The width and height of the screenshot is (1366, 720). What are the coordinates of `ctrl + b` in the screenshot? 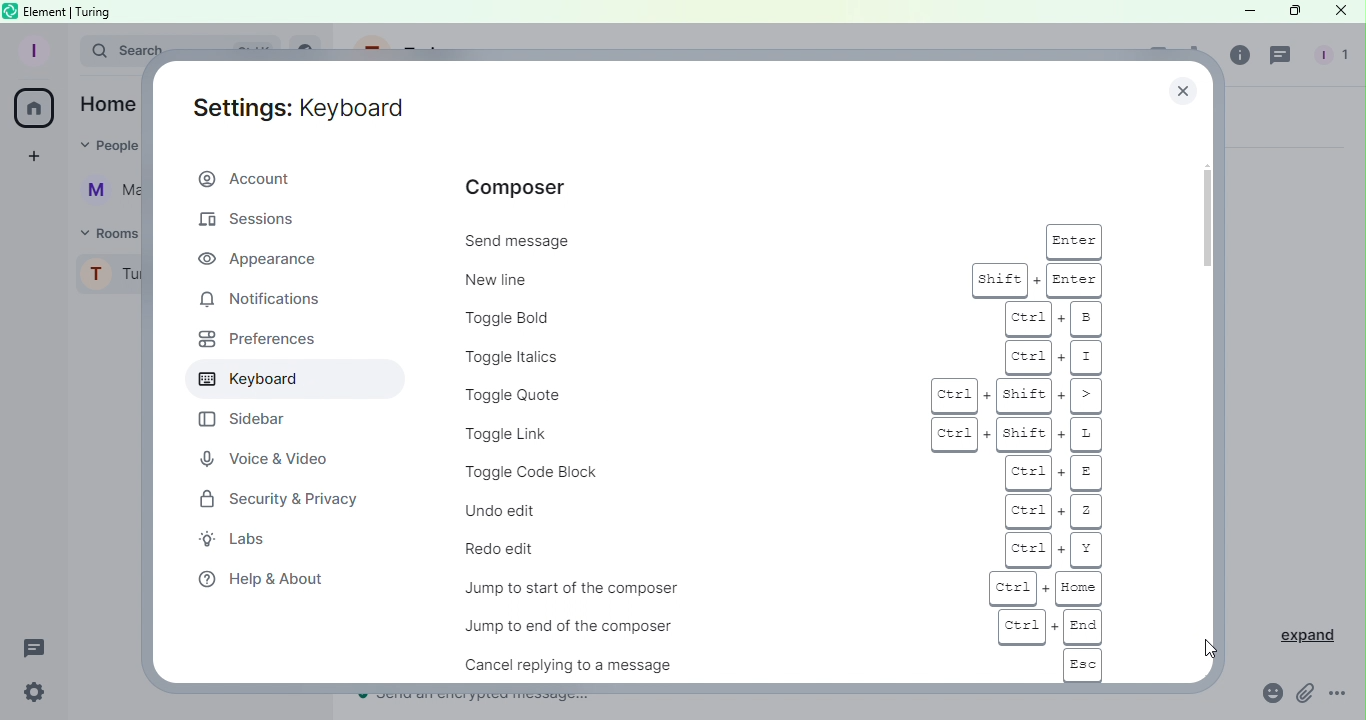 It's located at (1054, 320).